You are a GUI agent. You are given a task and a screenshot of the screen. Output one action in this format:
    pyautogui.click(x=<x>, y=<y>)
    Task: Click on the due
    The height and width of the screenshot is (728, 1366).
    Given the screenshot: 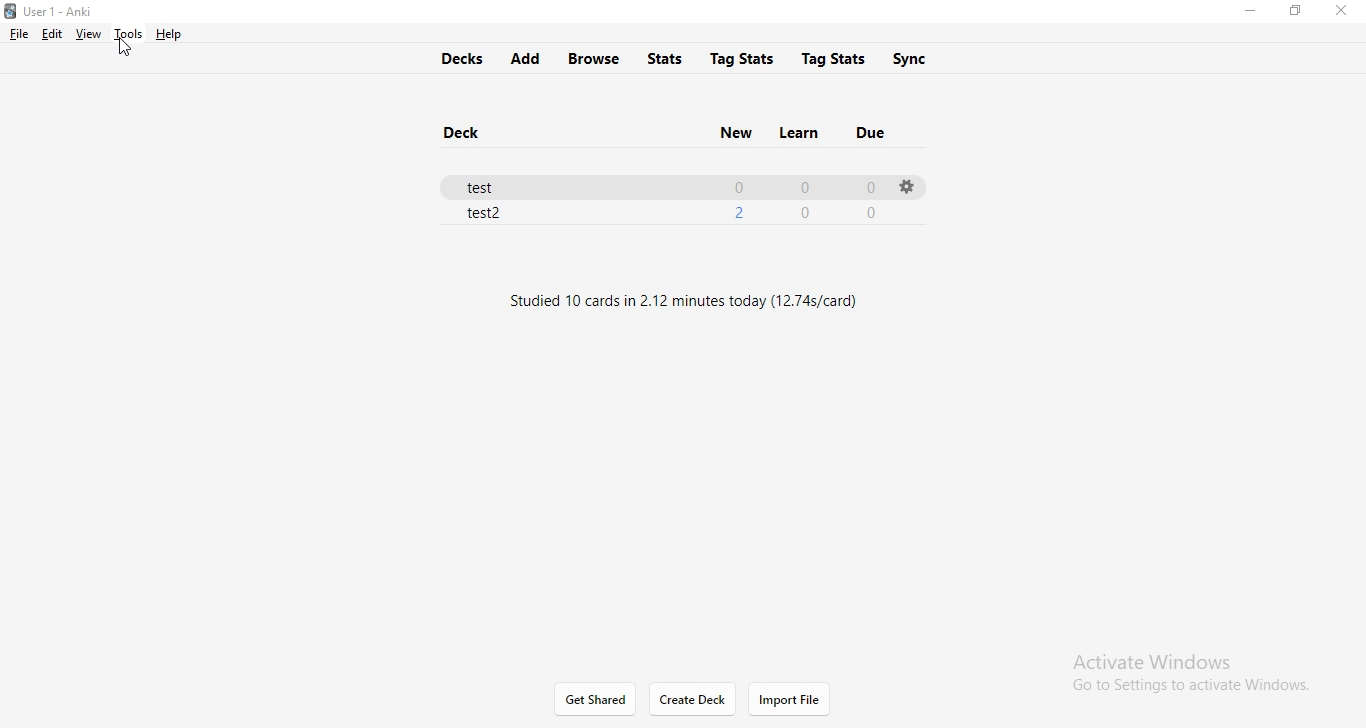 What is the action you would take?
    pyautogui.click(x=882, y=134)
    